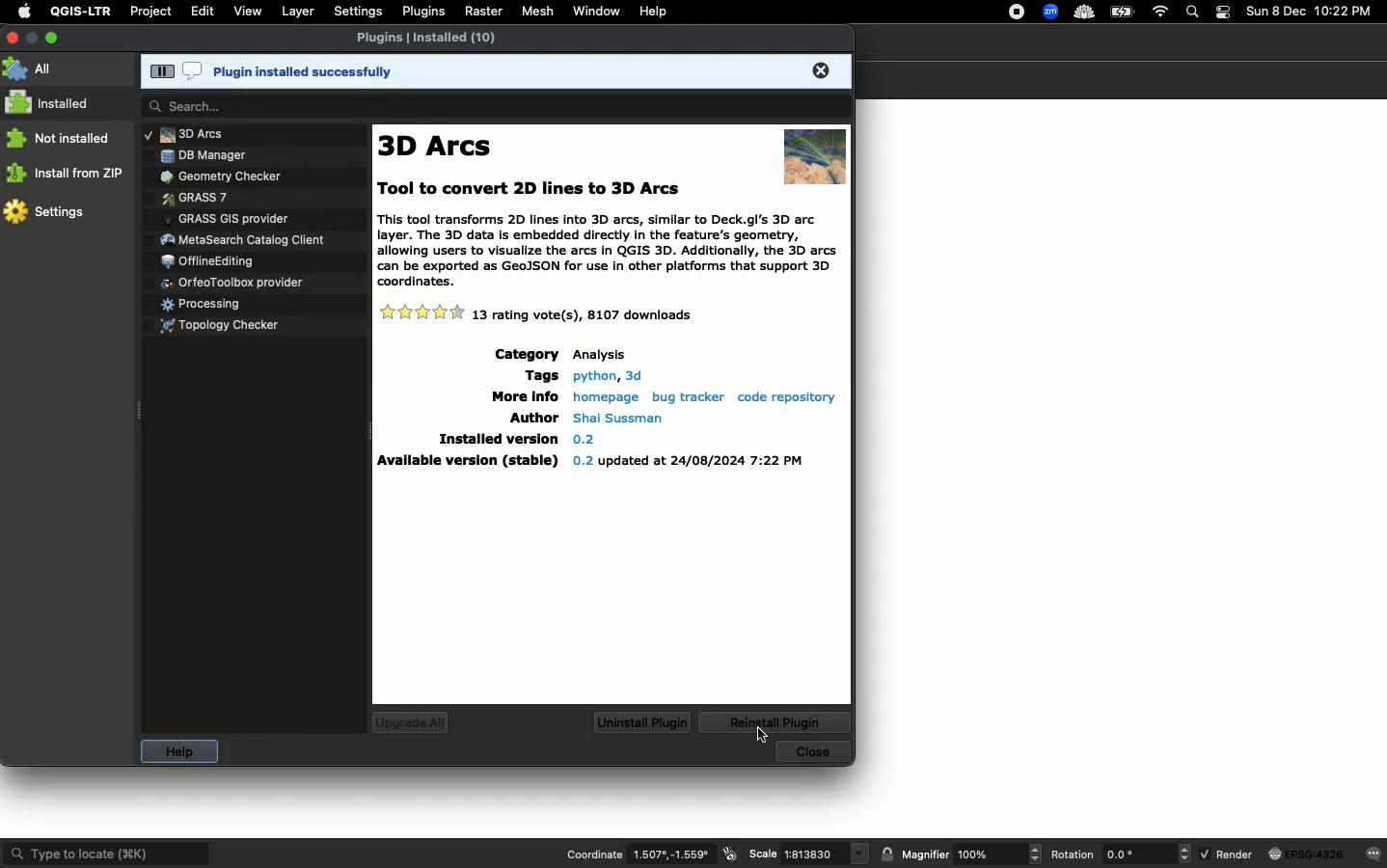 The width and height of the screenshot is (1387, 868). Describe the element at coordinates (225, 217) in the screenshot. I see `Plugins` at that location.